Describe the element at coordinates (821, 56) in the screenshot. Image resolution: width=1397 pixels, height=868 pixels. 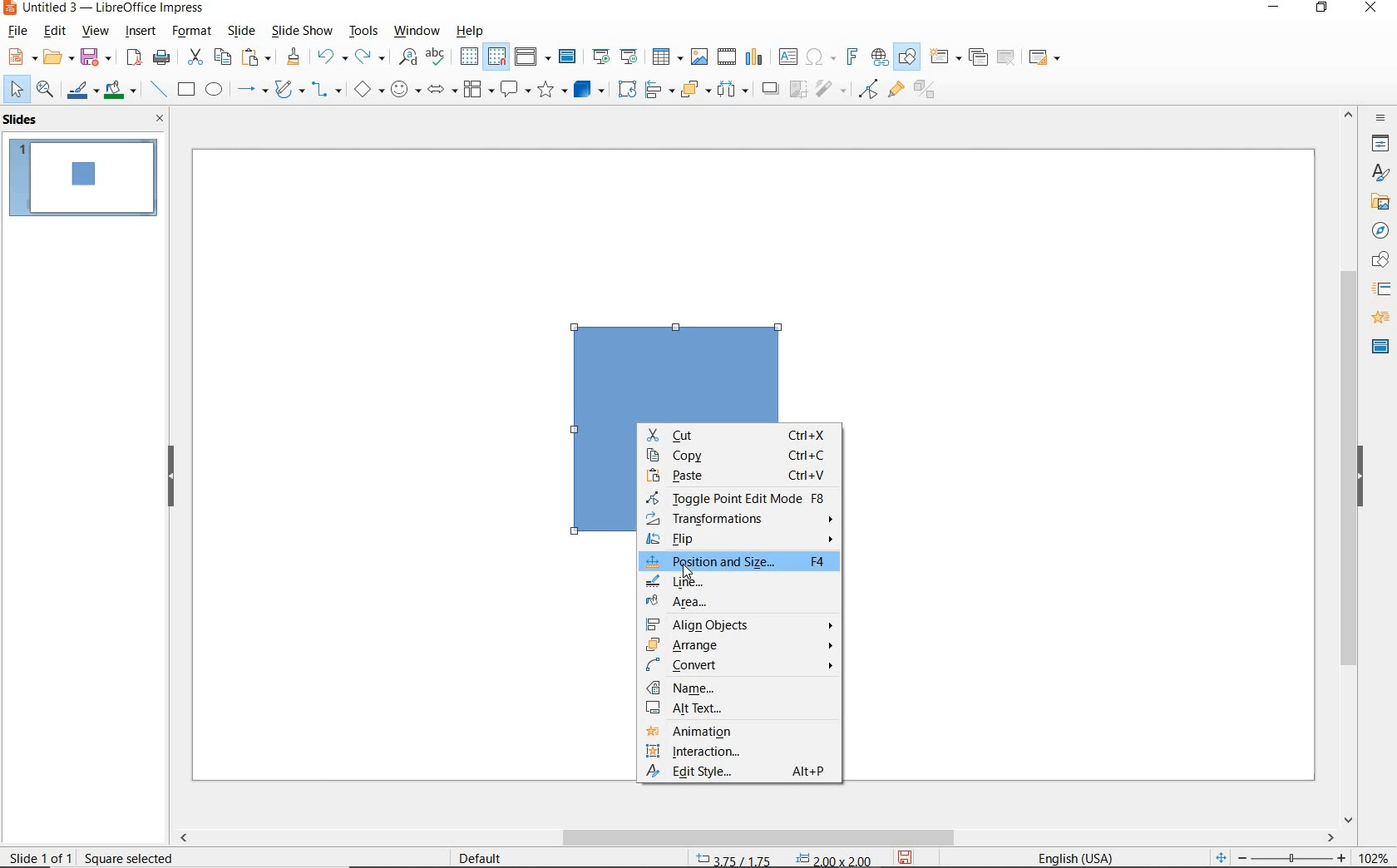
I see `insert special characters` at that location.